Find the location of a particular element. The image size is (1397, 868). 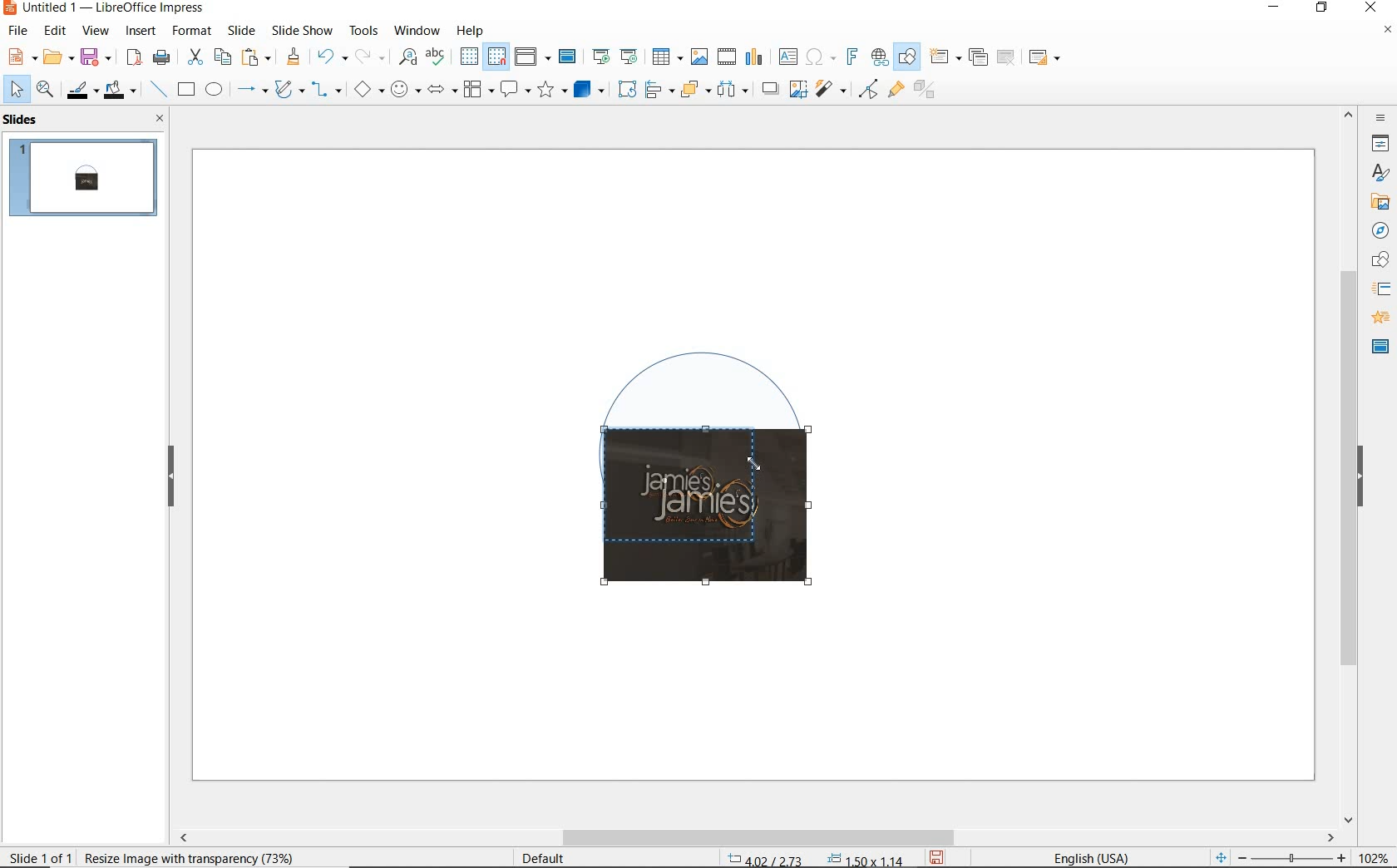

cut is located at coordinates (193, 57).